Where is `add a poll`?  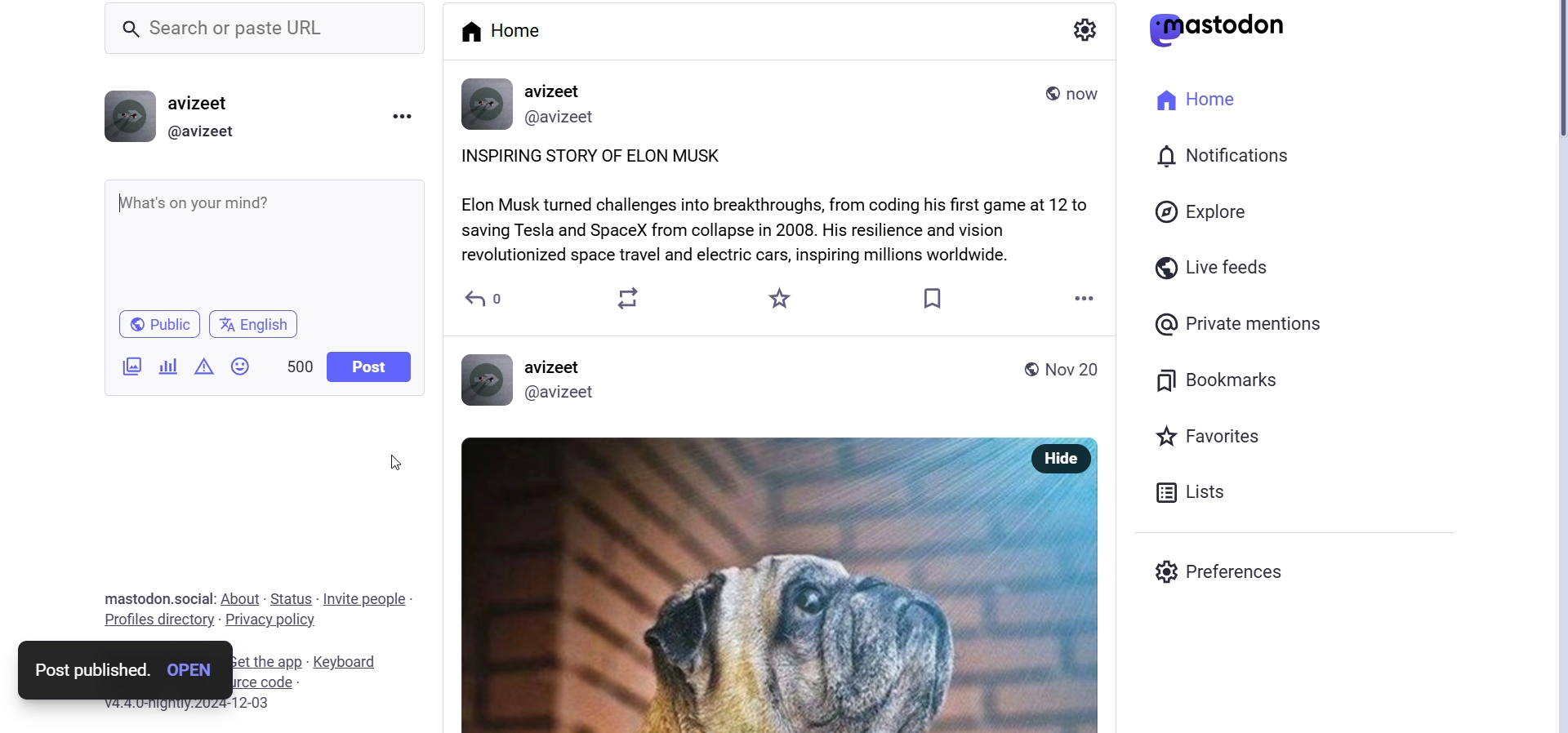
add a poll is located at coordinates (166, 371).